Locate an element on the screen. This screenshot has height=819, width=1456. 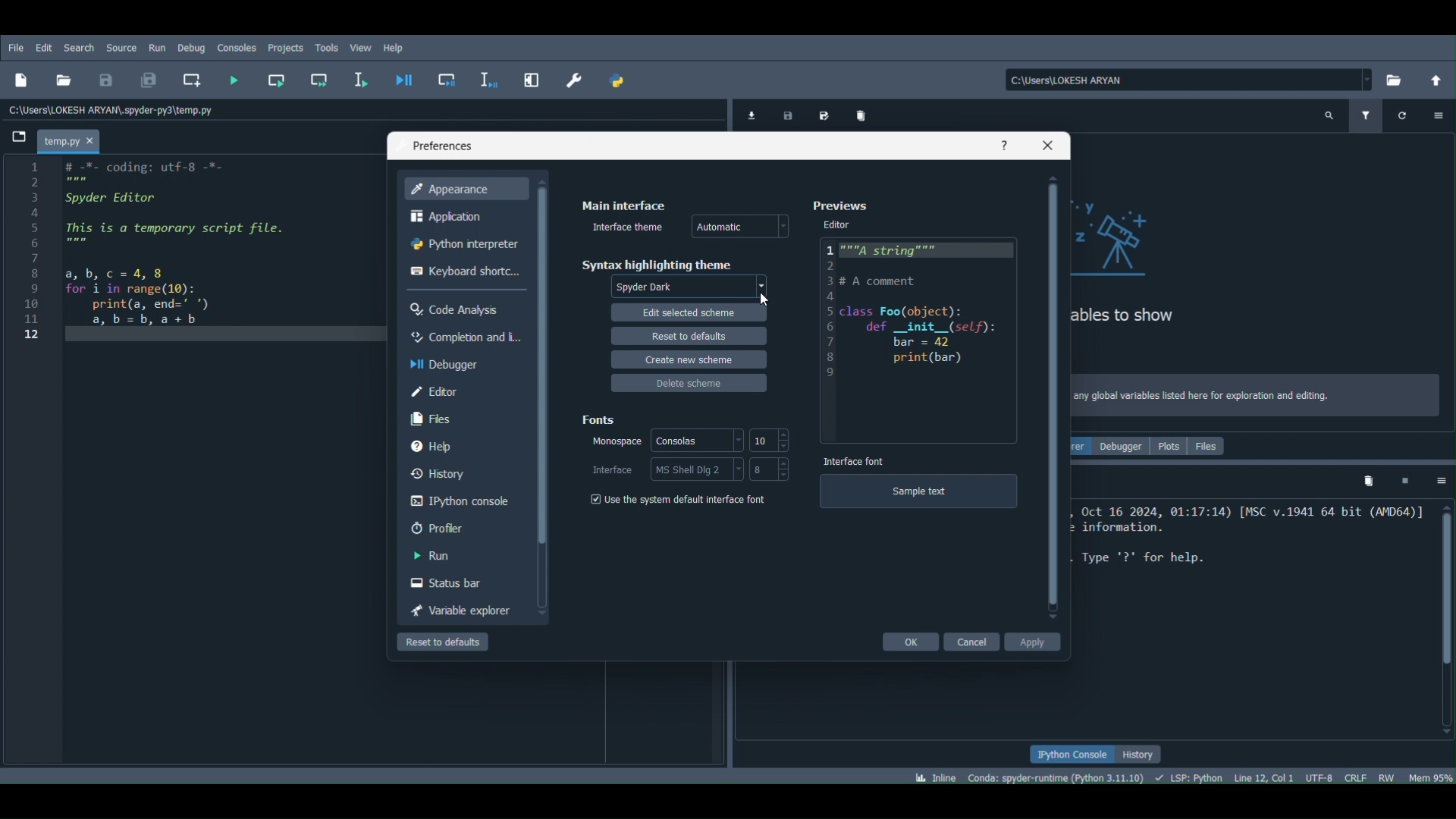
Editor is located at coordinates (839, 224).